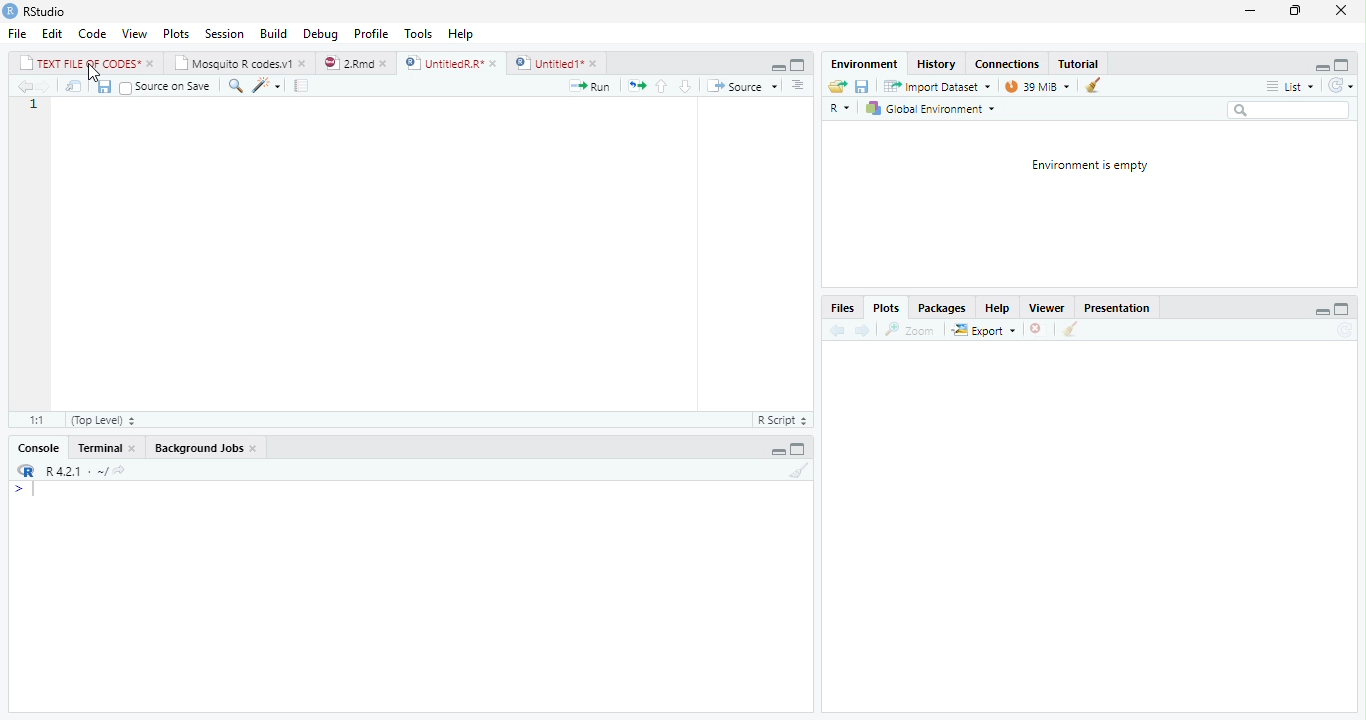 The width and height of the screenshot is (1366, 720). Describe the element at coordinates (660, 86) in the screenshot. I see `Up` at that location.